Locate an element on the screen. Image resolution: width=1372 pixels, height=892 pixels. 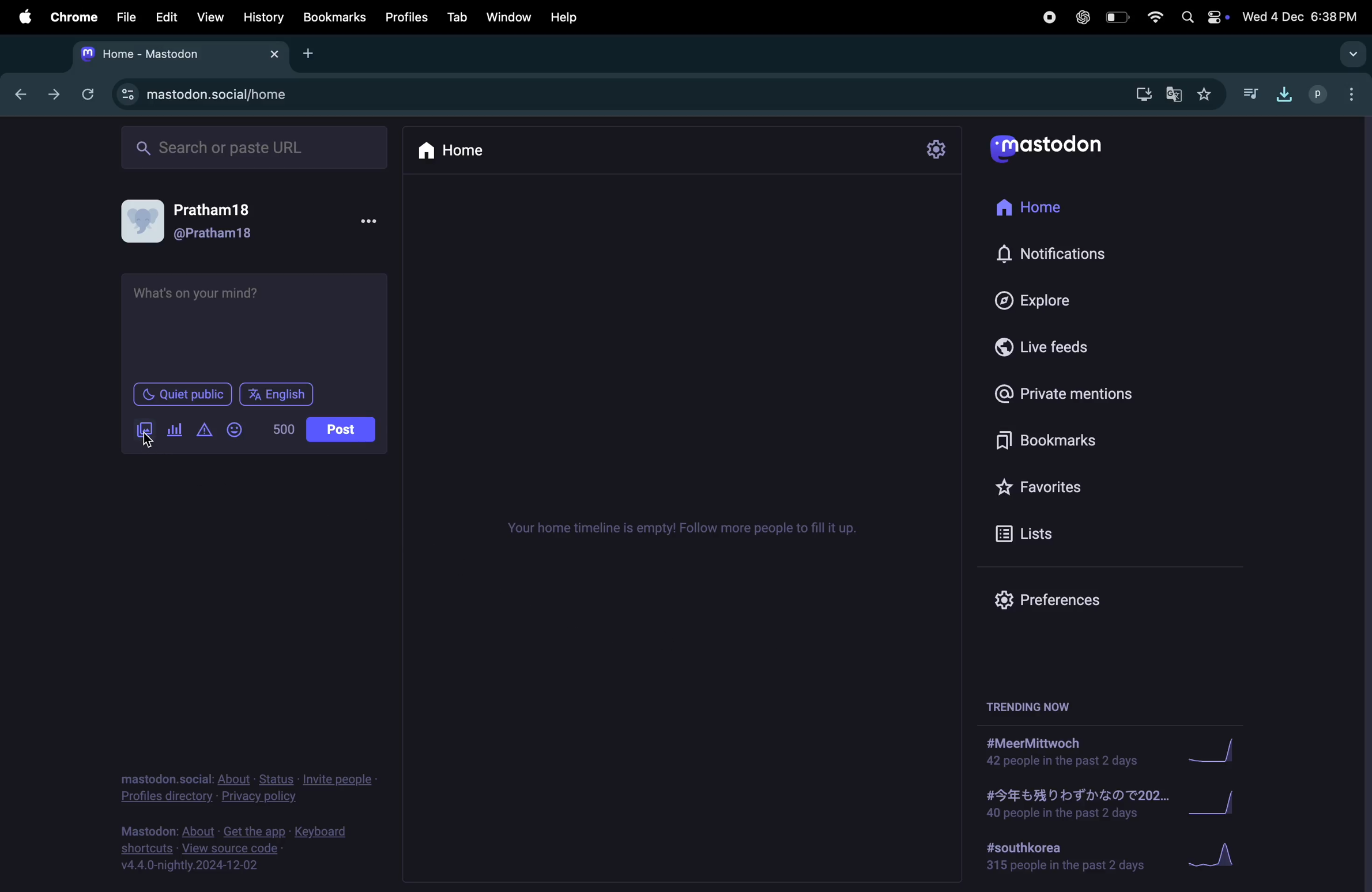
History is located at coordinates (259, 18).